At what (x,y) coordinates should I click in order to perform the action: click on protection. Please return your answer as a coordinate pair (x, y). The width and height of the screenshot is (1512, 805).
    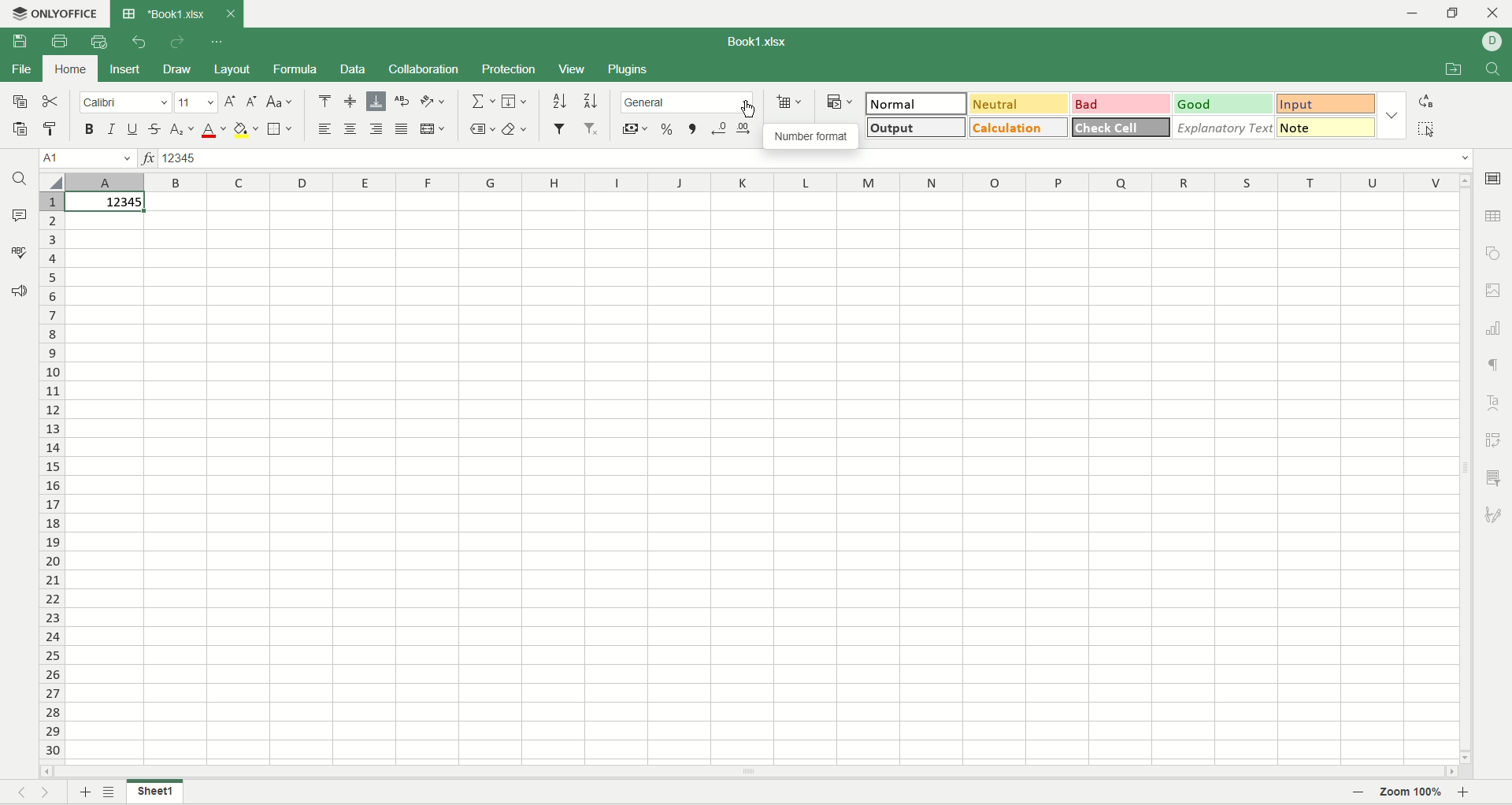
    Looking at the image, I should click on (507, 69).